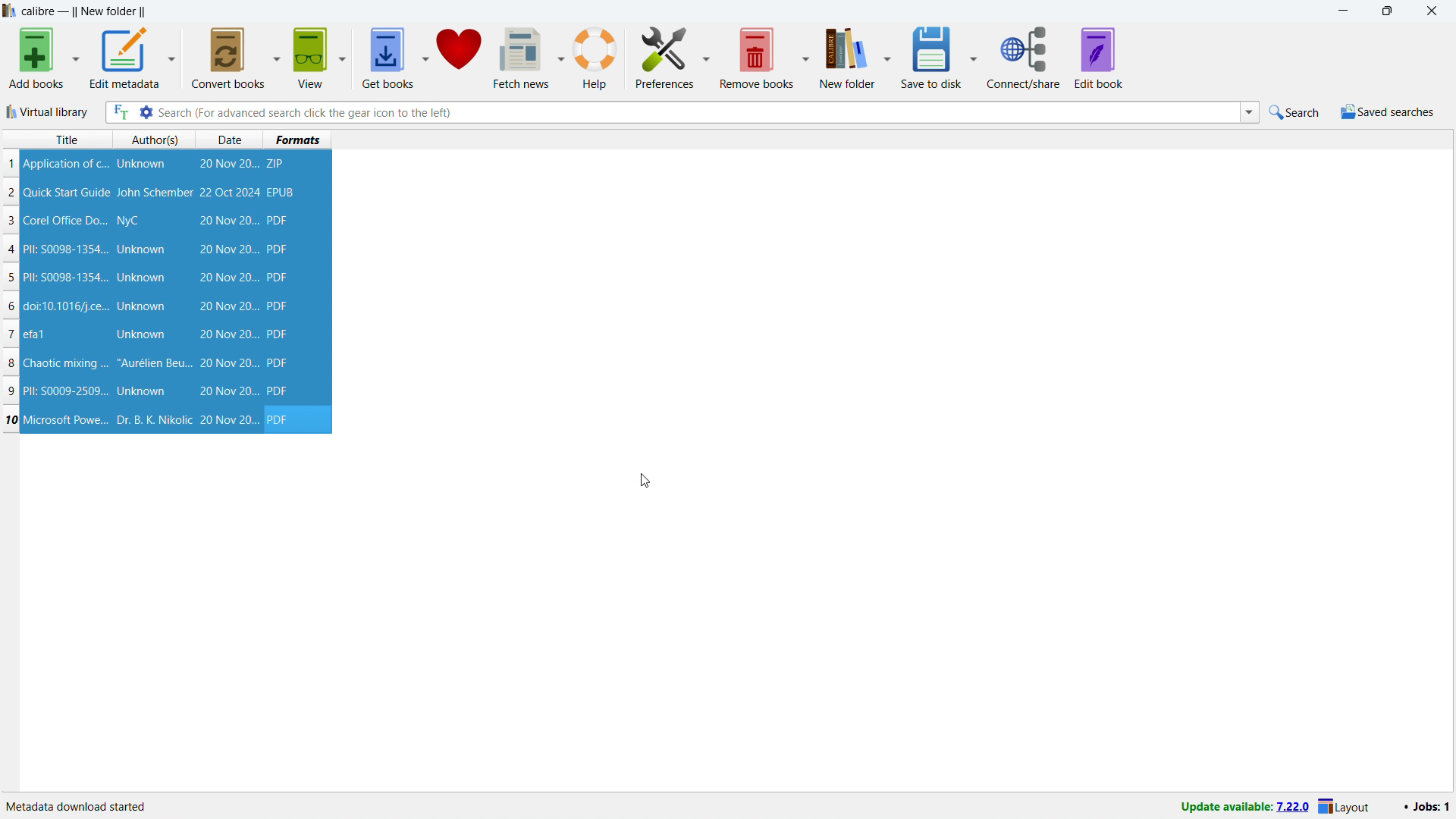 This screenshot has width=1456, height=819. Describe the element at coordinates (459, 58) in the screenshot. I see `donate to calibre` at that location.